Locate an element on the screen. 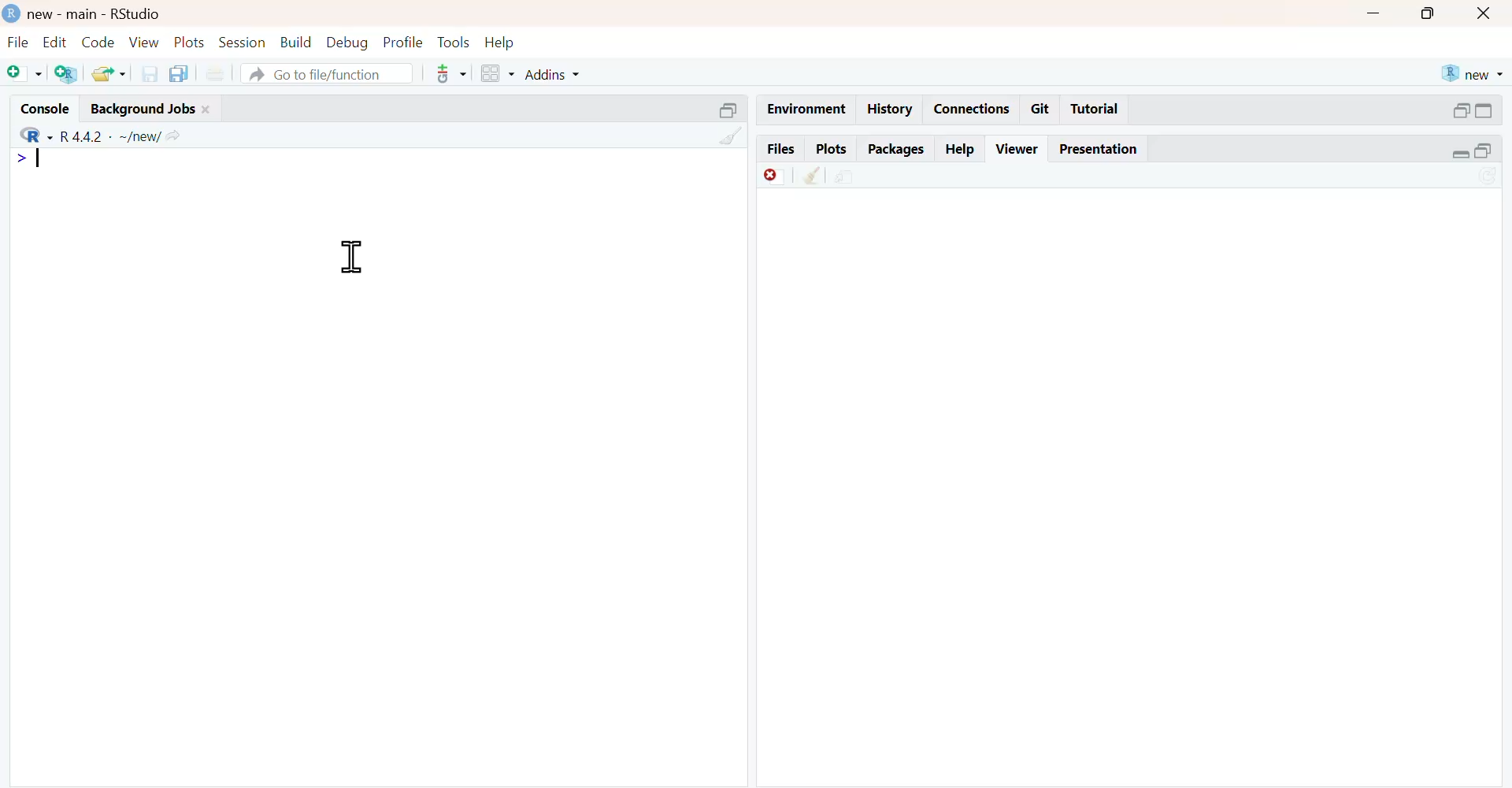  logo is located at coordinates (13, 13).